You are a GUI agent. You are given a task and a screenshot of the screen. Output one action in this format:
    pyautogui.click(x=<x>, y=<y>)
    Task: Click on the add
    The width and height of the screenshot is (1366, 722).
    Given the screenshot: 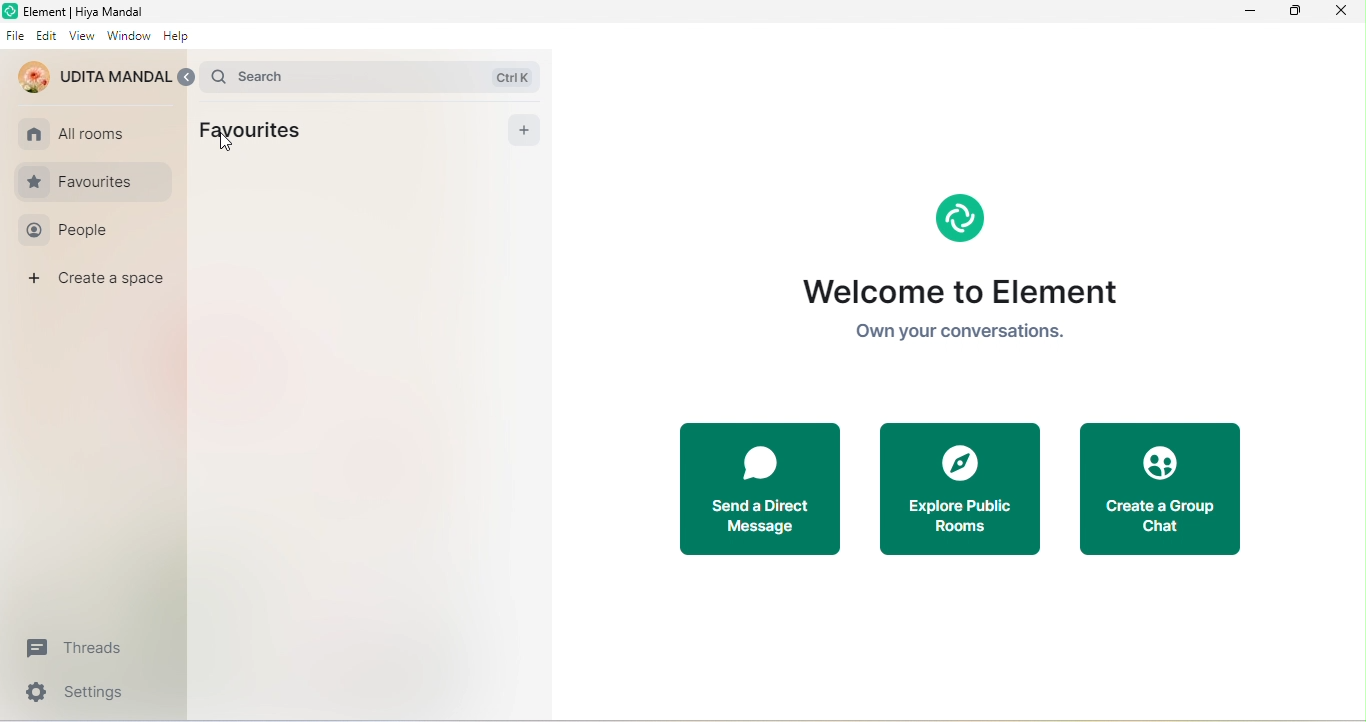 What is the action you would take?
    pyautogui.click(x=521, y=132)
    